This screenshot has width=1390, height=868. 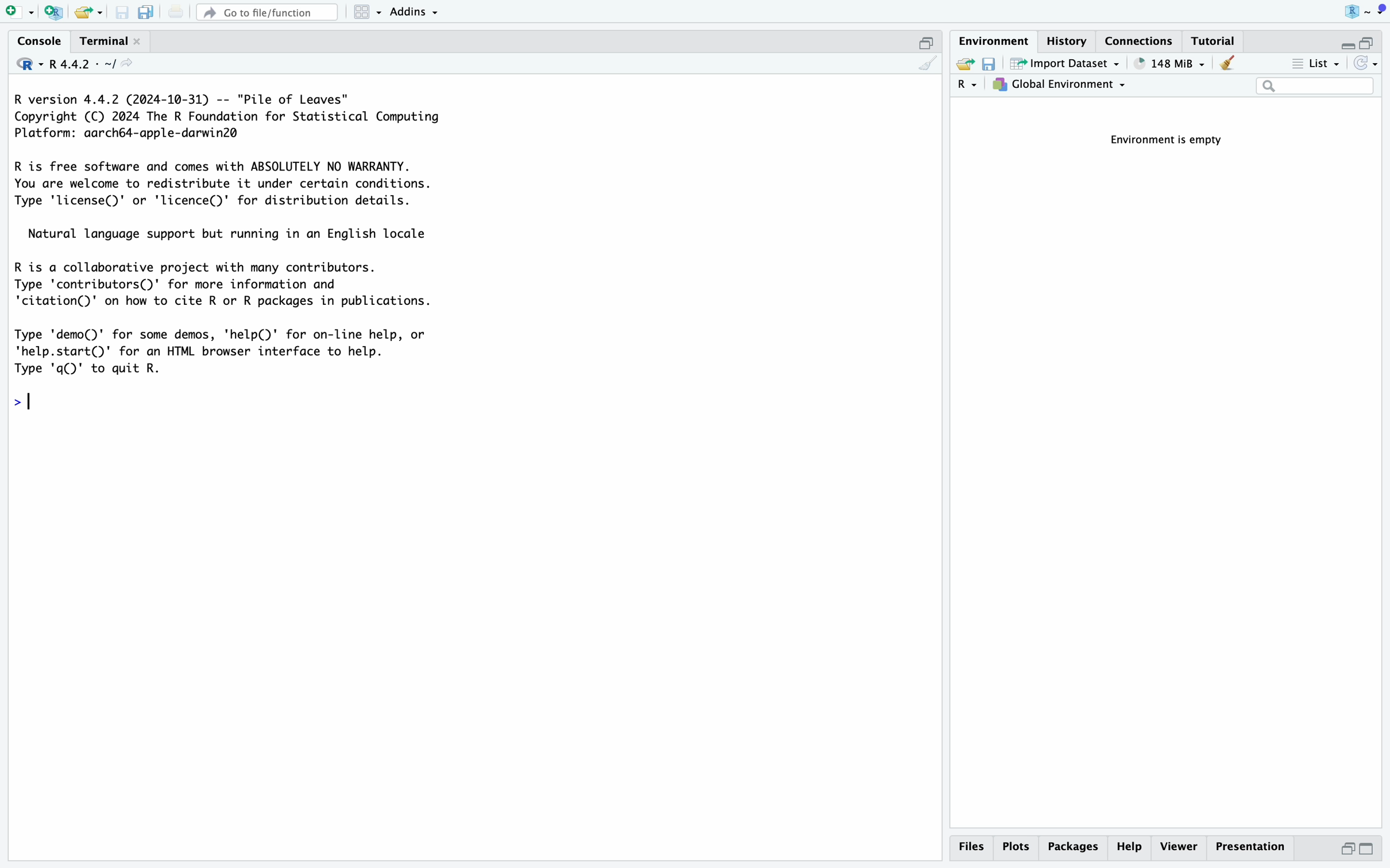 I want to click on go to file/function, so click(x=266, y=10).